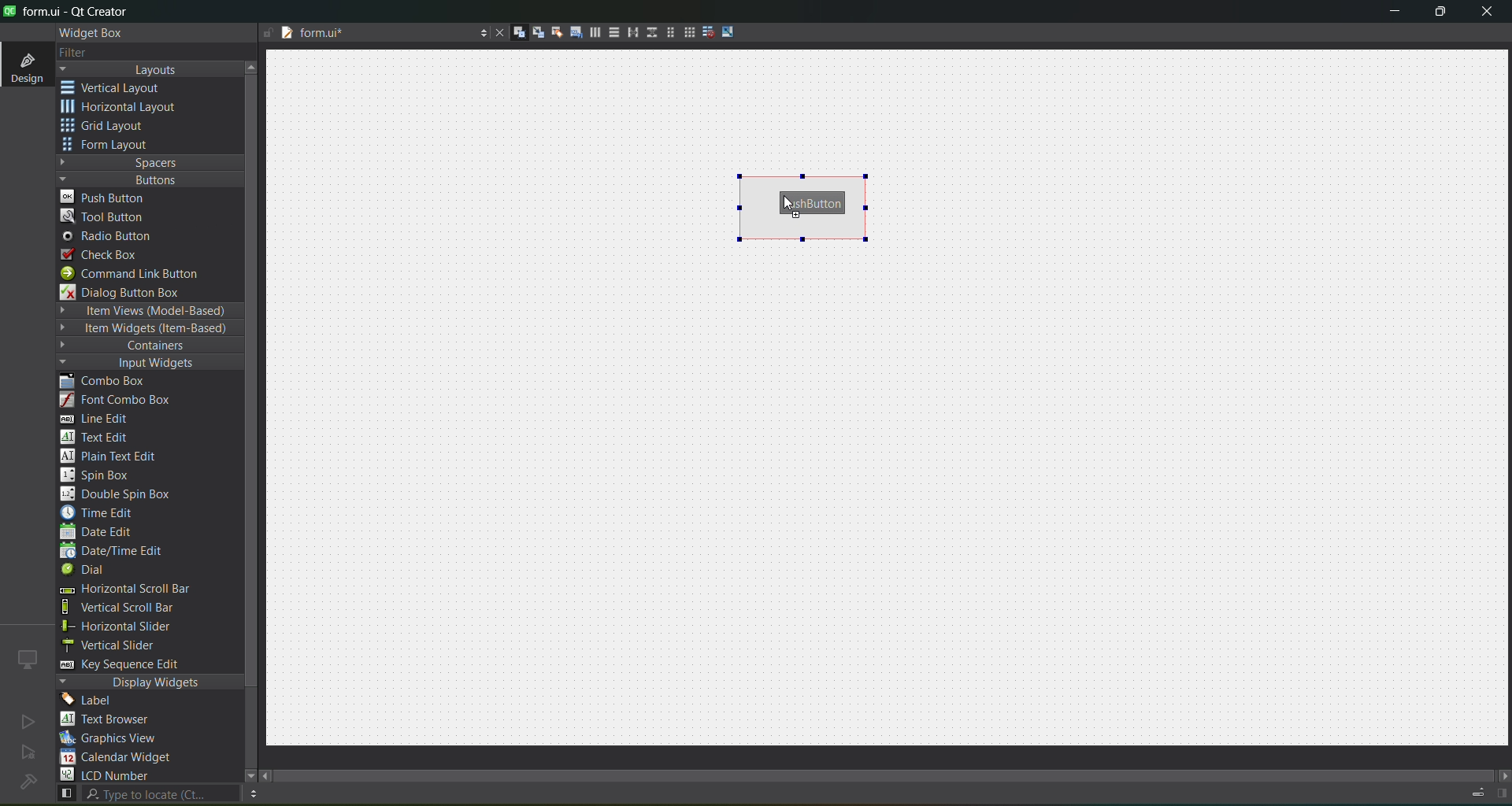 This screenshot has height=806, width=1512. What do you see at coordinates (106, 216) in the screenshot?
I see `tool` at bounding box center [106, 216].